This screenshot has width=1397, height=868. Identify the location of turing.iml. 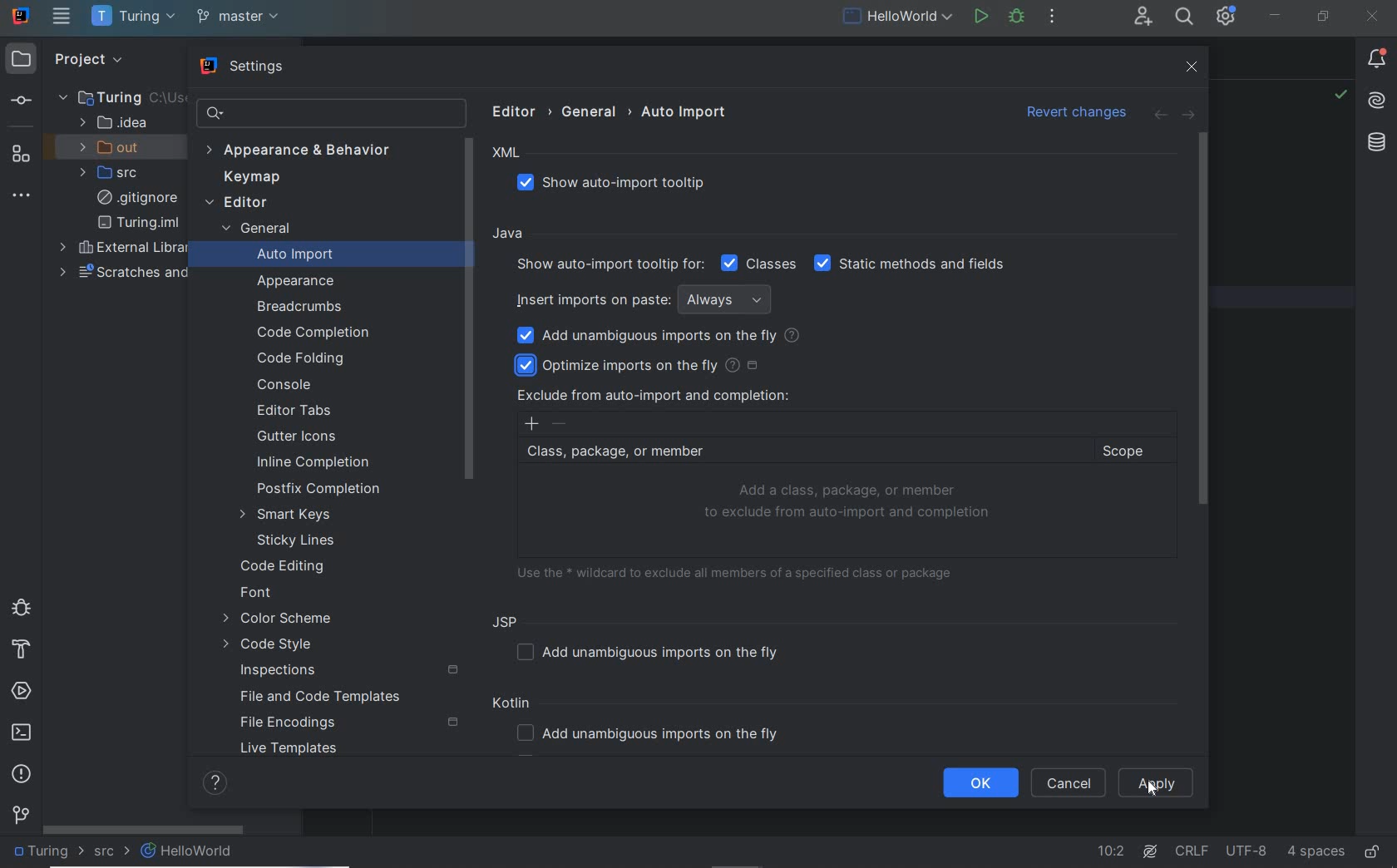
(138, 223).